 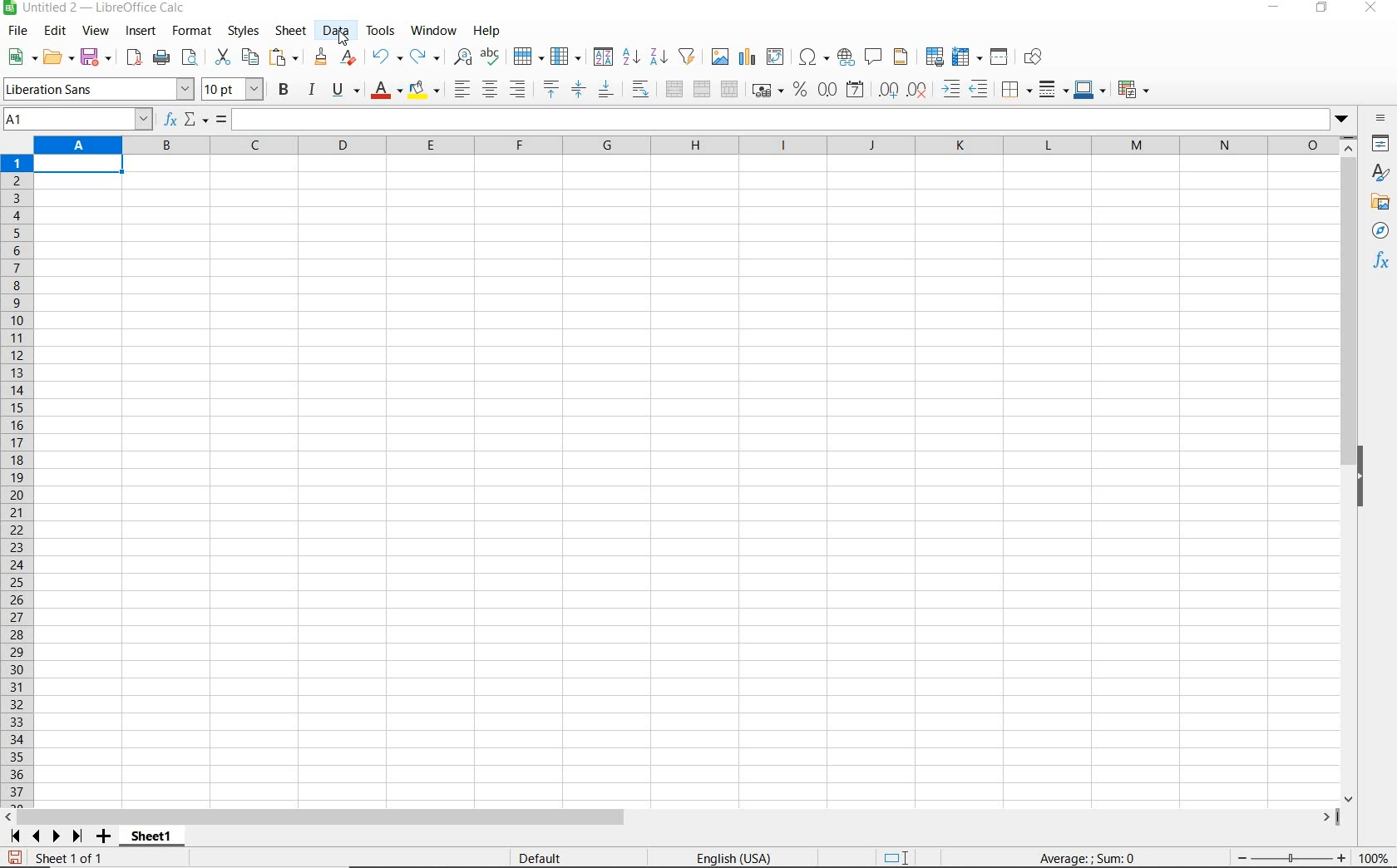 I want to click on border style, so click(x=1054, y=89).